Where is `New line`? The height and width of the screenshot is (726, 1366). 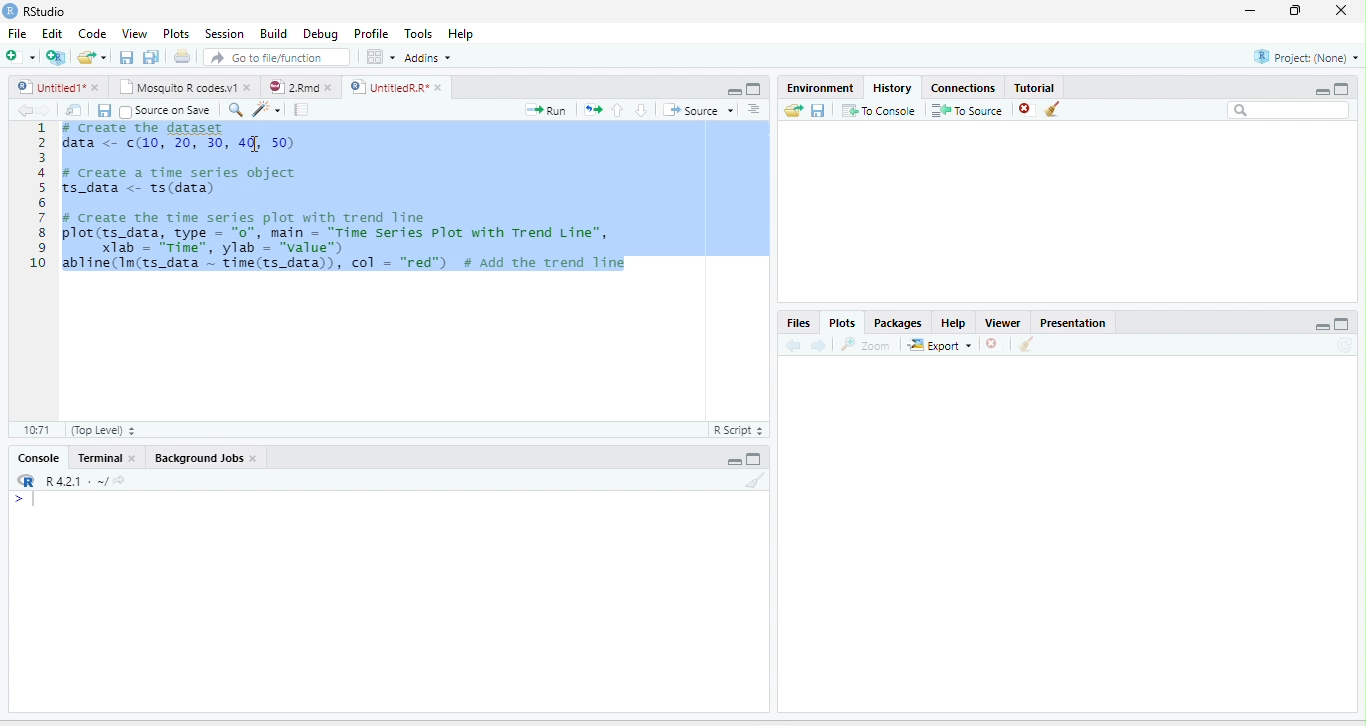
New line is located at coordinates (25, 500).